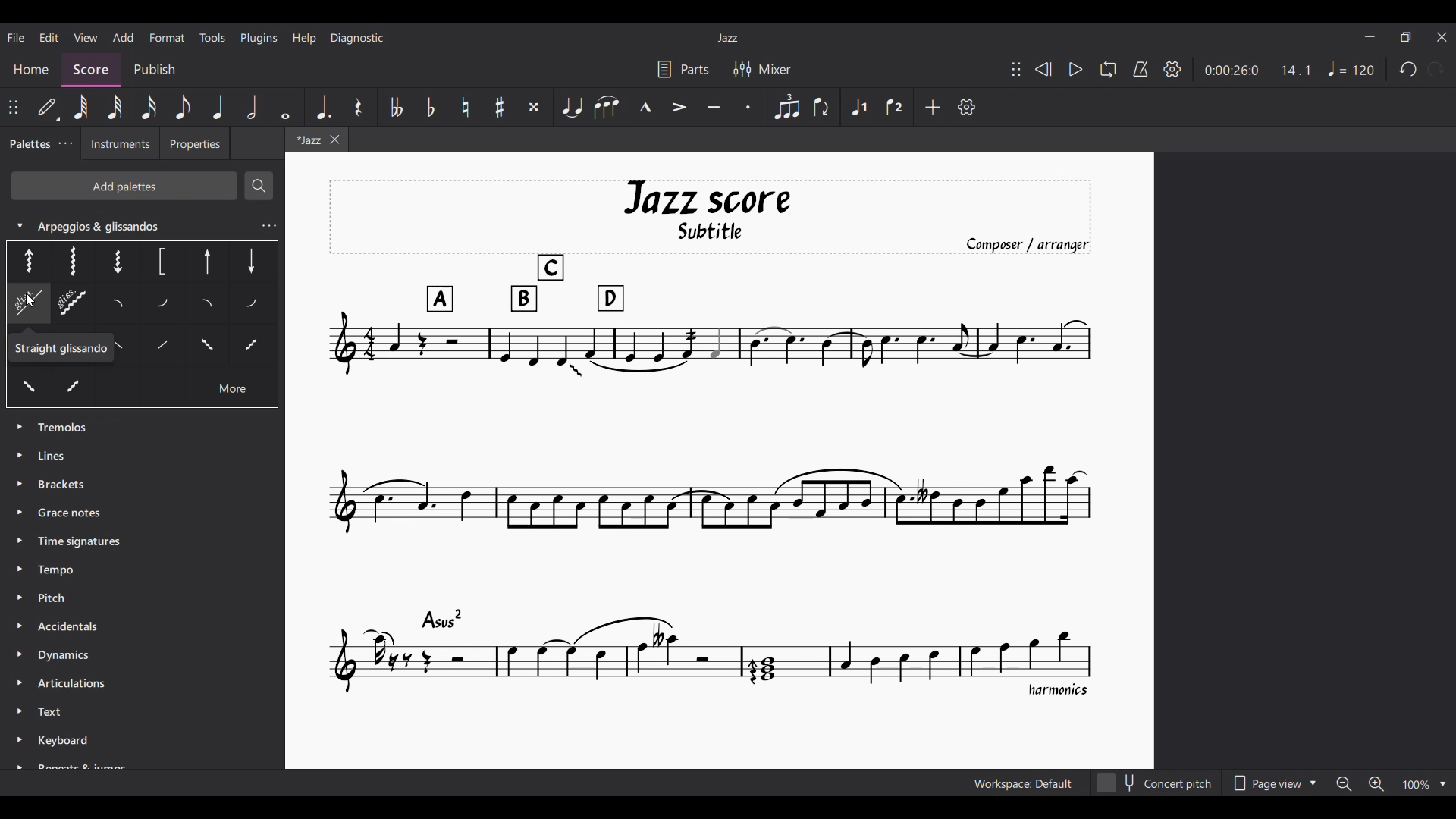 This screenshot has height=819, width=1456. I want to click on Tie, so click(571, 107).